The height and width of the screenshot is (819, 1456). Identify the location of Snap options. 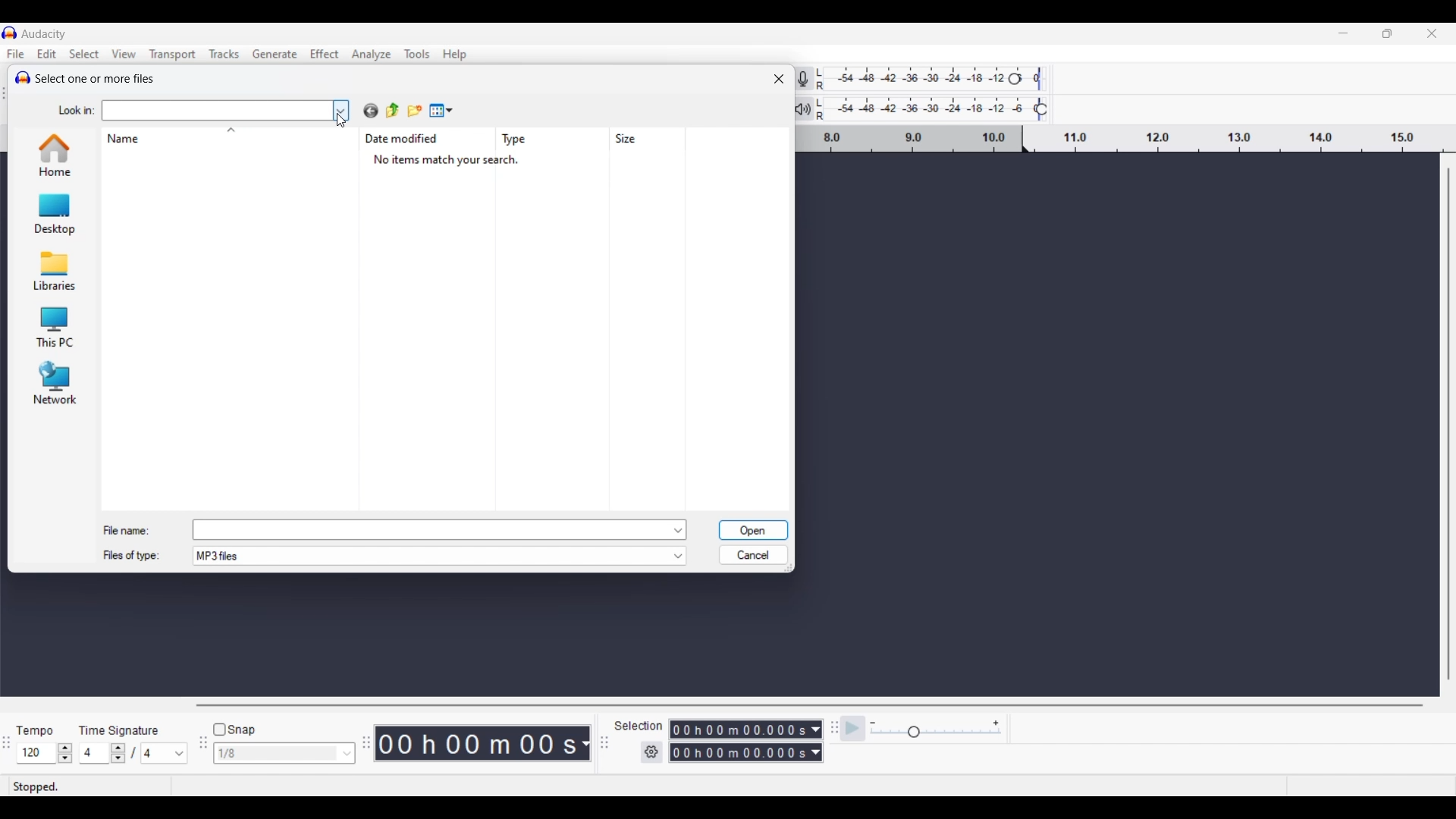
(347, 753).